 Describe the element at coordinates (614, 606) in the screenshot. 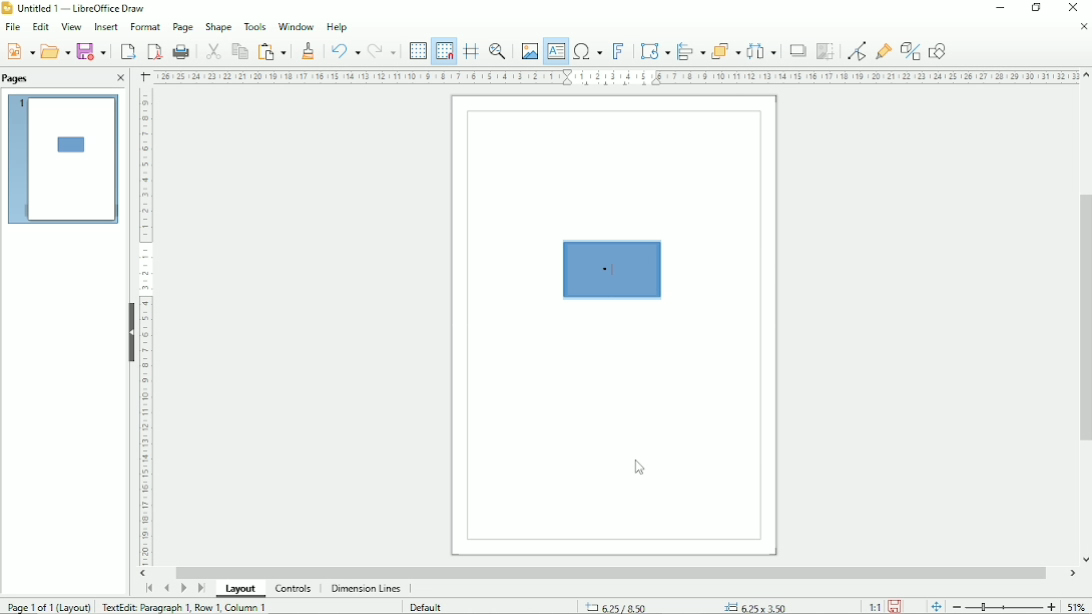

I see `6.25x8.50` at that location.